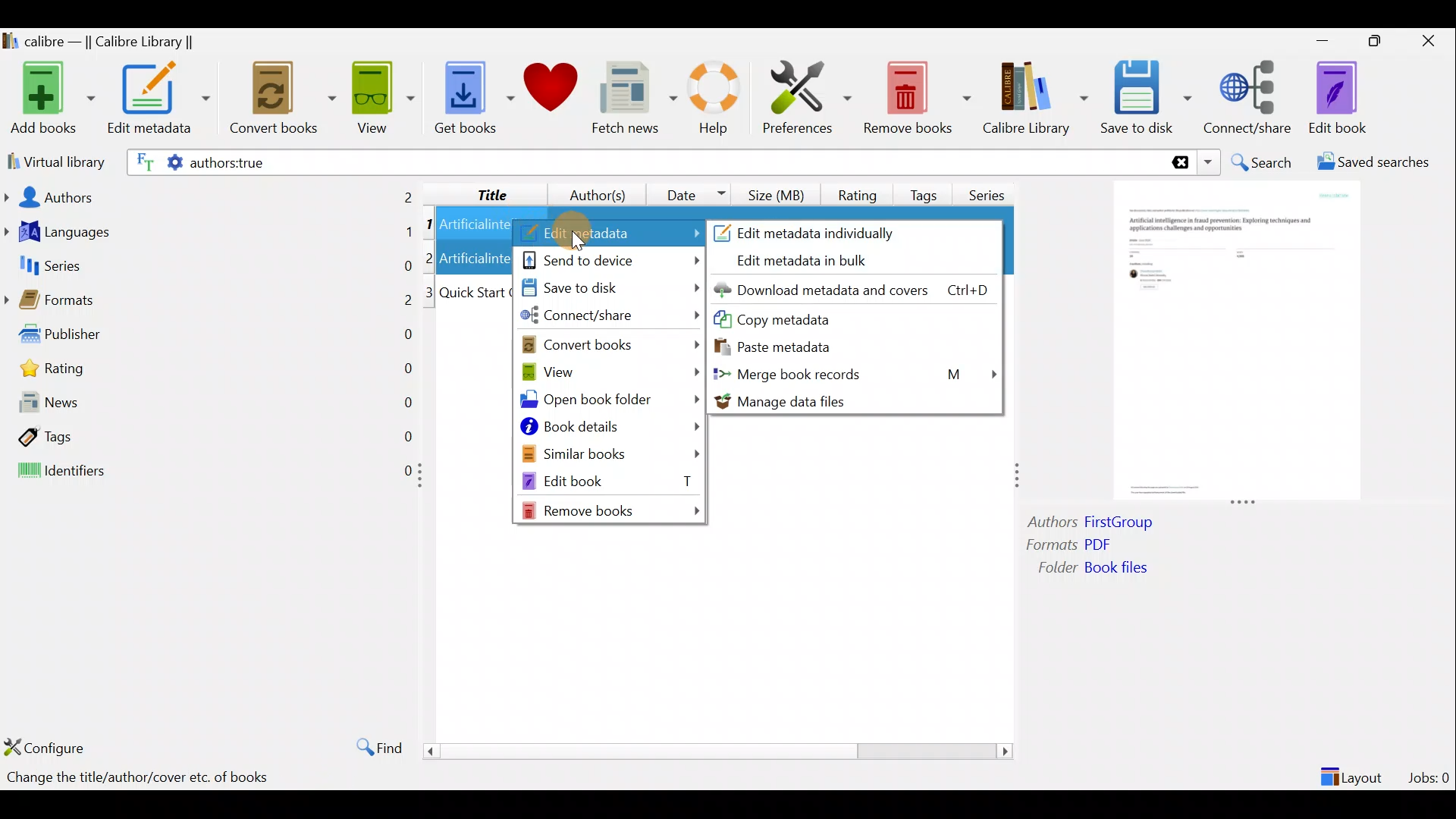 The width and height of the screenshot is (1456, 819). I want to click on Adjust column to the right, so click(1018, 477).